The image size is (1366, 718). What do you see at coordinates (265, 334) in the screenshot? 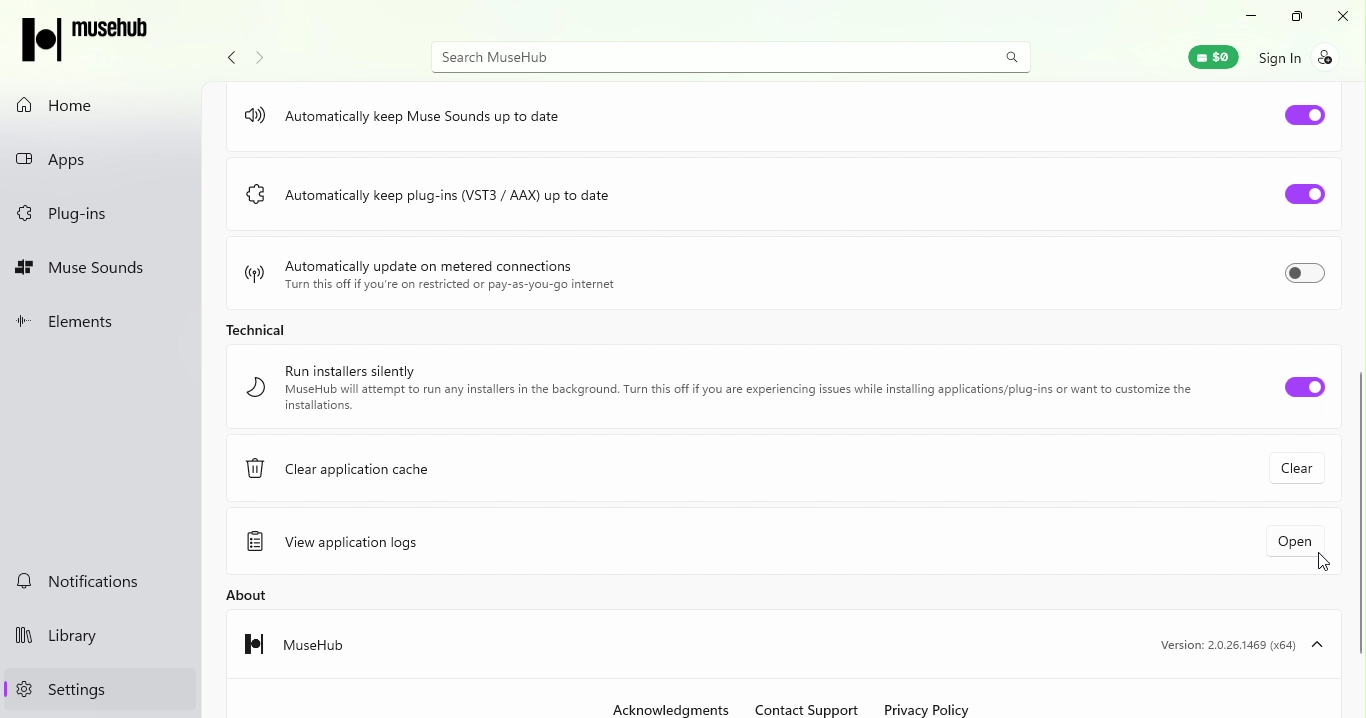
I see `Technical` at bounding box center [265, 334].